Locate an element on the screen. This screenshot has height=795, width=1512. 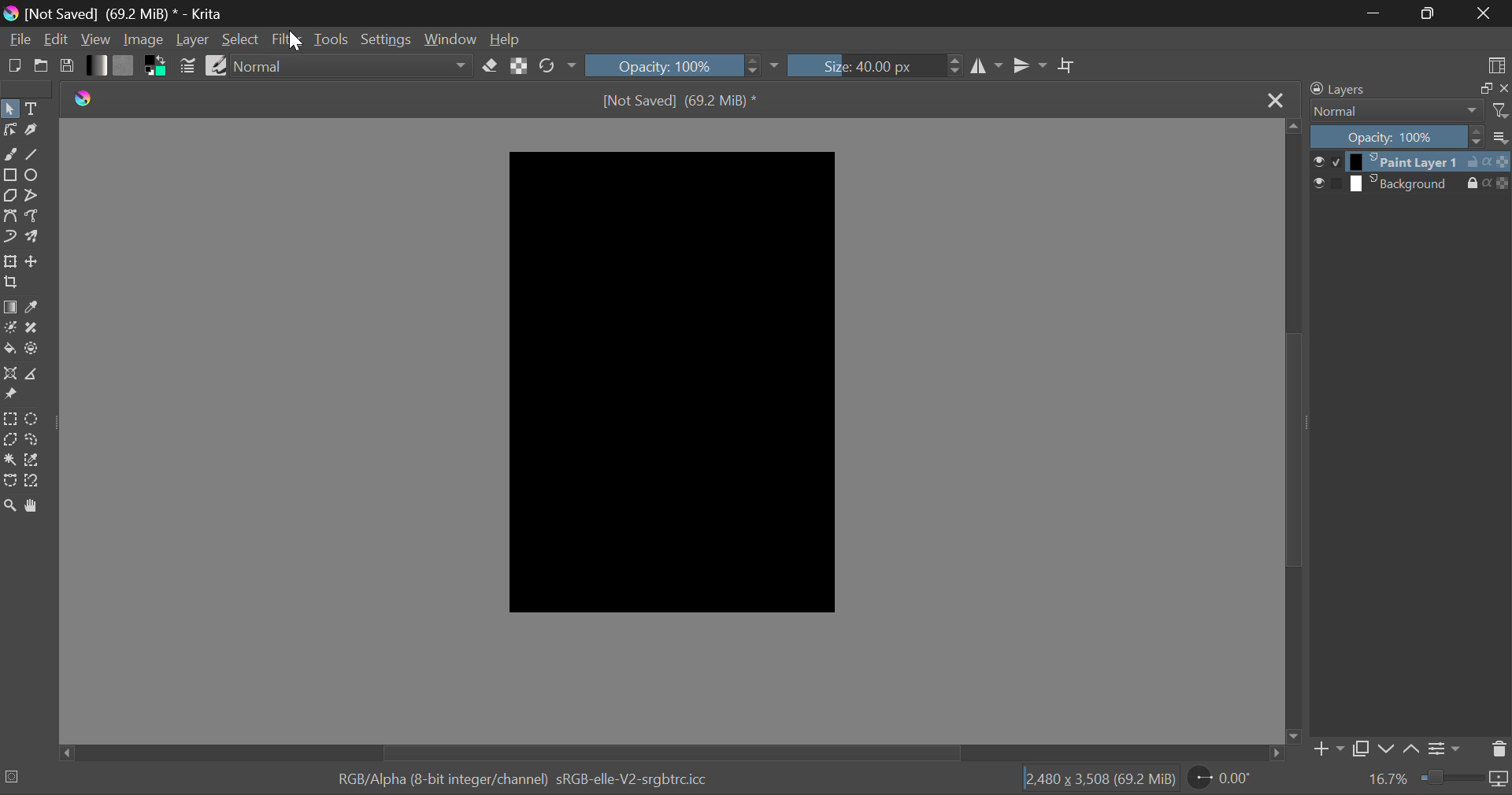
progress wheel is located at coordinates (16, 776).